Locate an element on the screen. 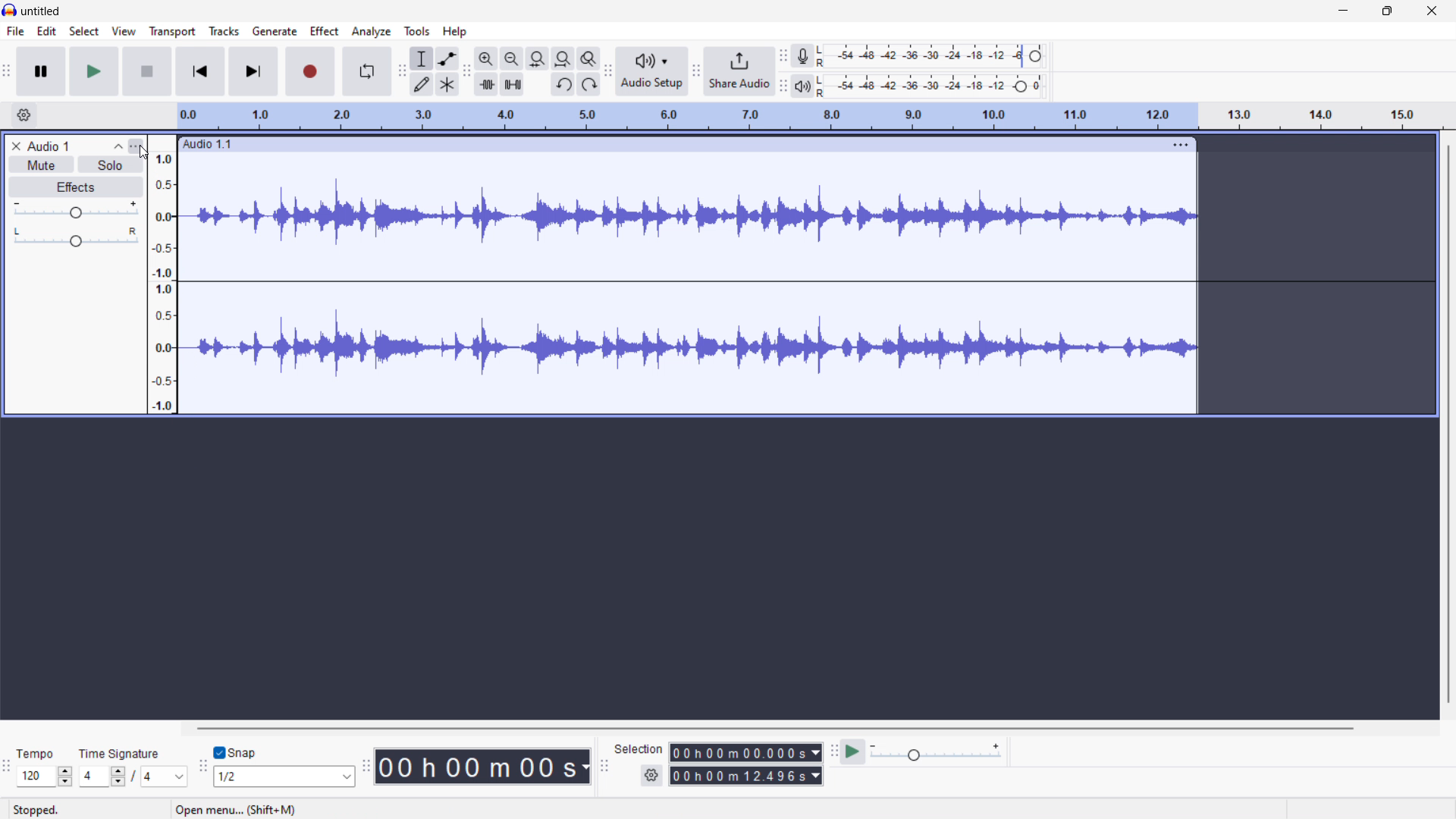  transport is located at coordinates (172, 31).